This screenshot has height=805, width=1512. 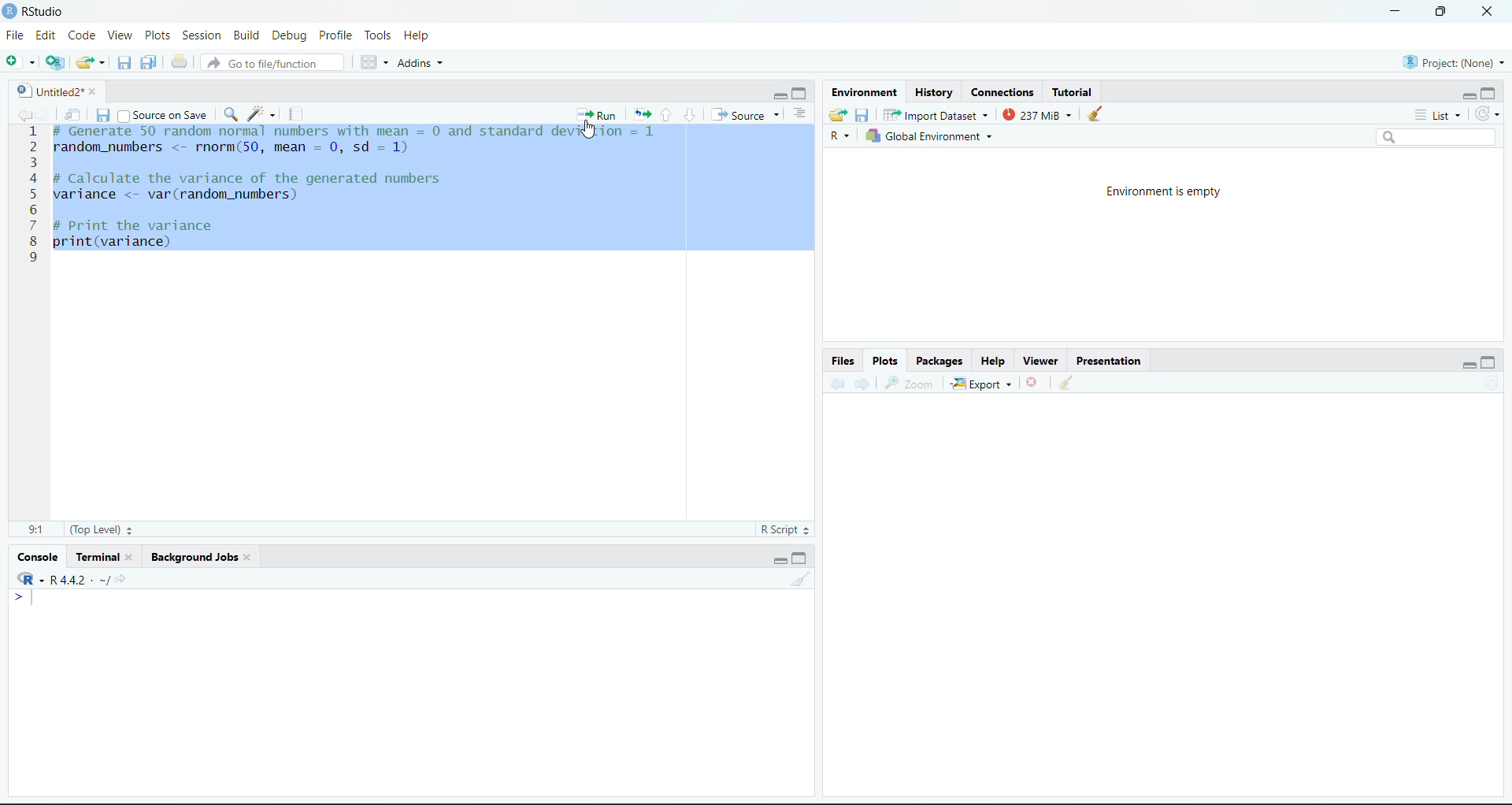 What do you see at coordinates (597, 114) in the screenshot?
I see `run` at bounding box center [597, 114].